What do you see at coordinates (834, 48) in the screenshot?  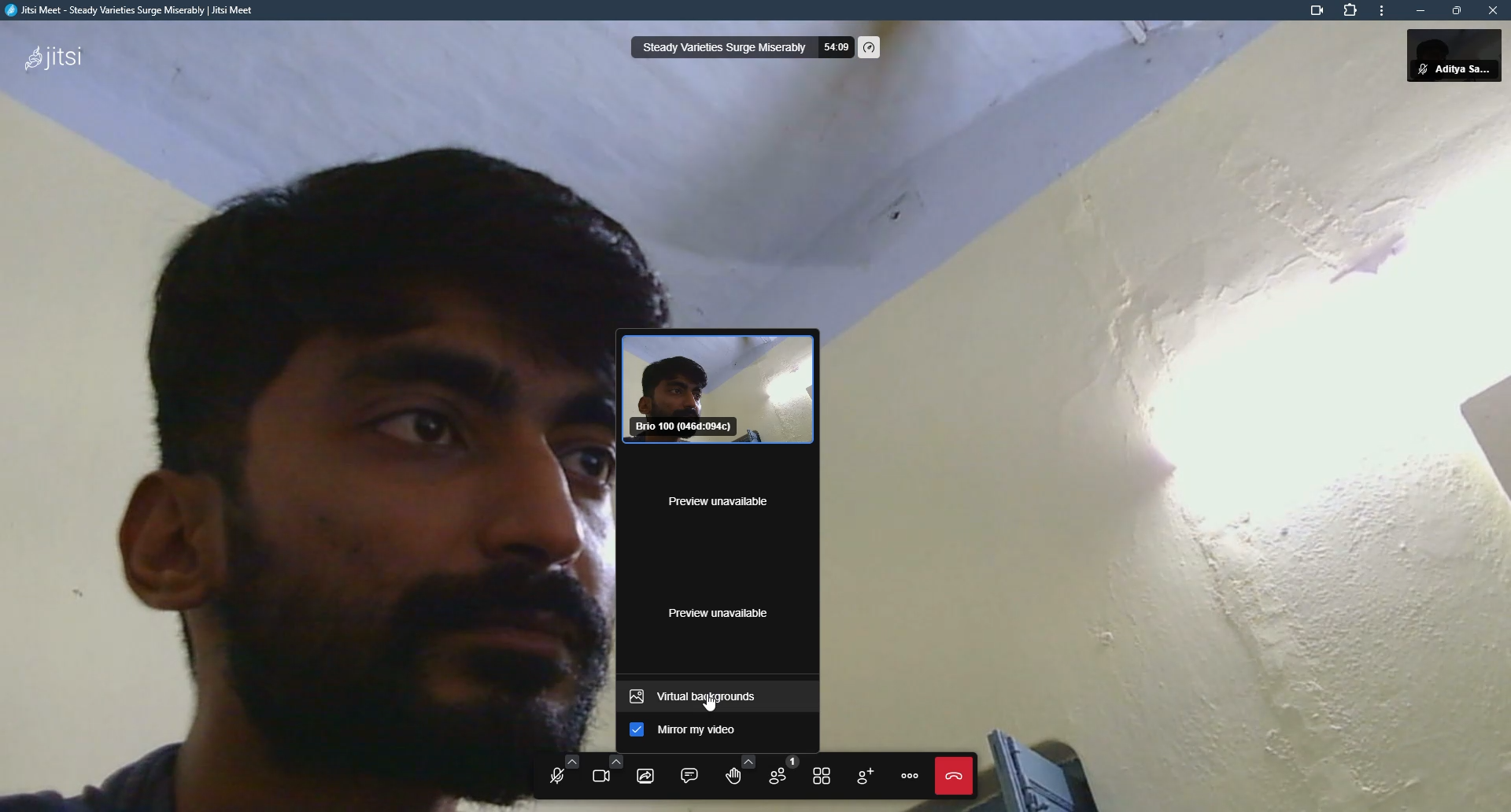 I see `time elapsed` at bounding box center [834, 48].